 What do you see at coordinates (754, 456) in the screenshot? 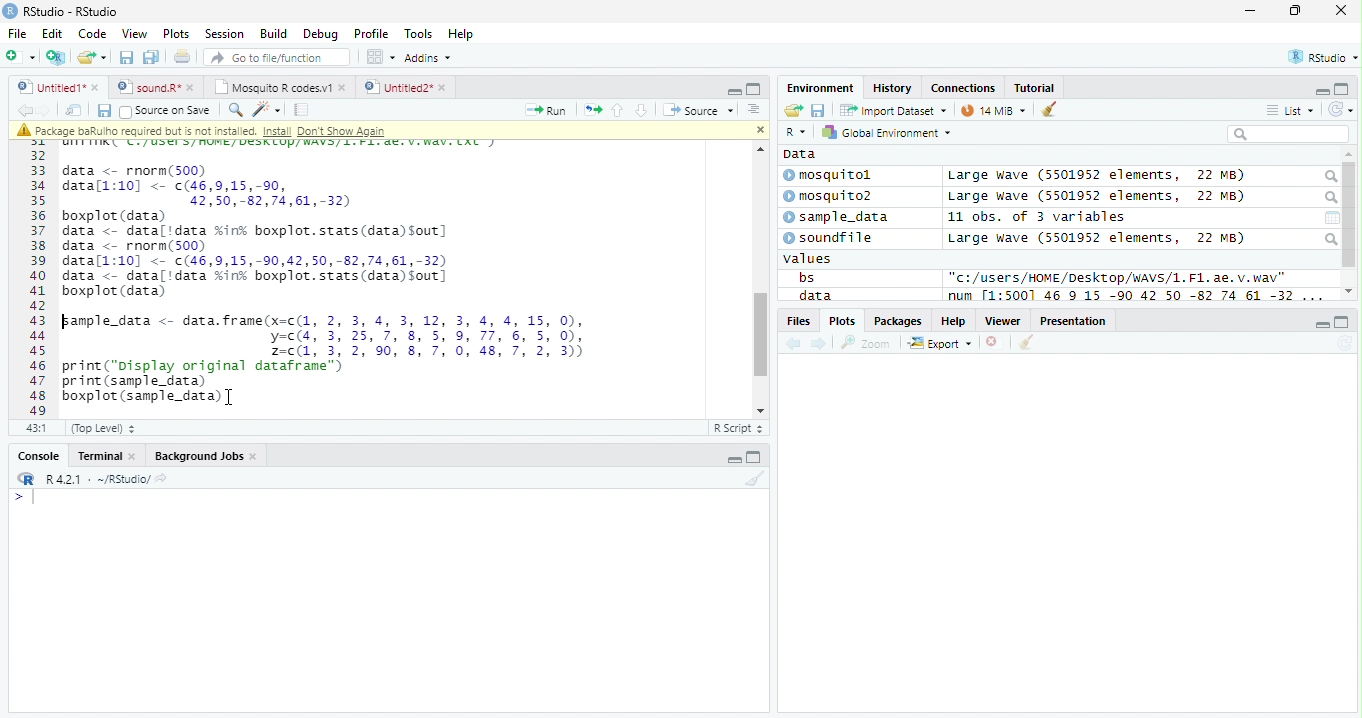
I see `full screen` at bounding box center [754, 456].